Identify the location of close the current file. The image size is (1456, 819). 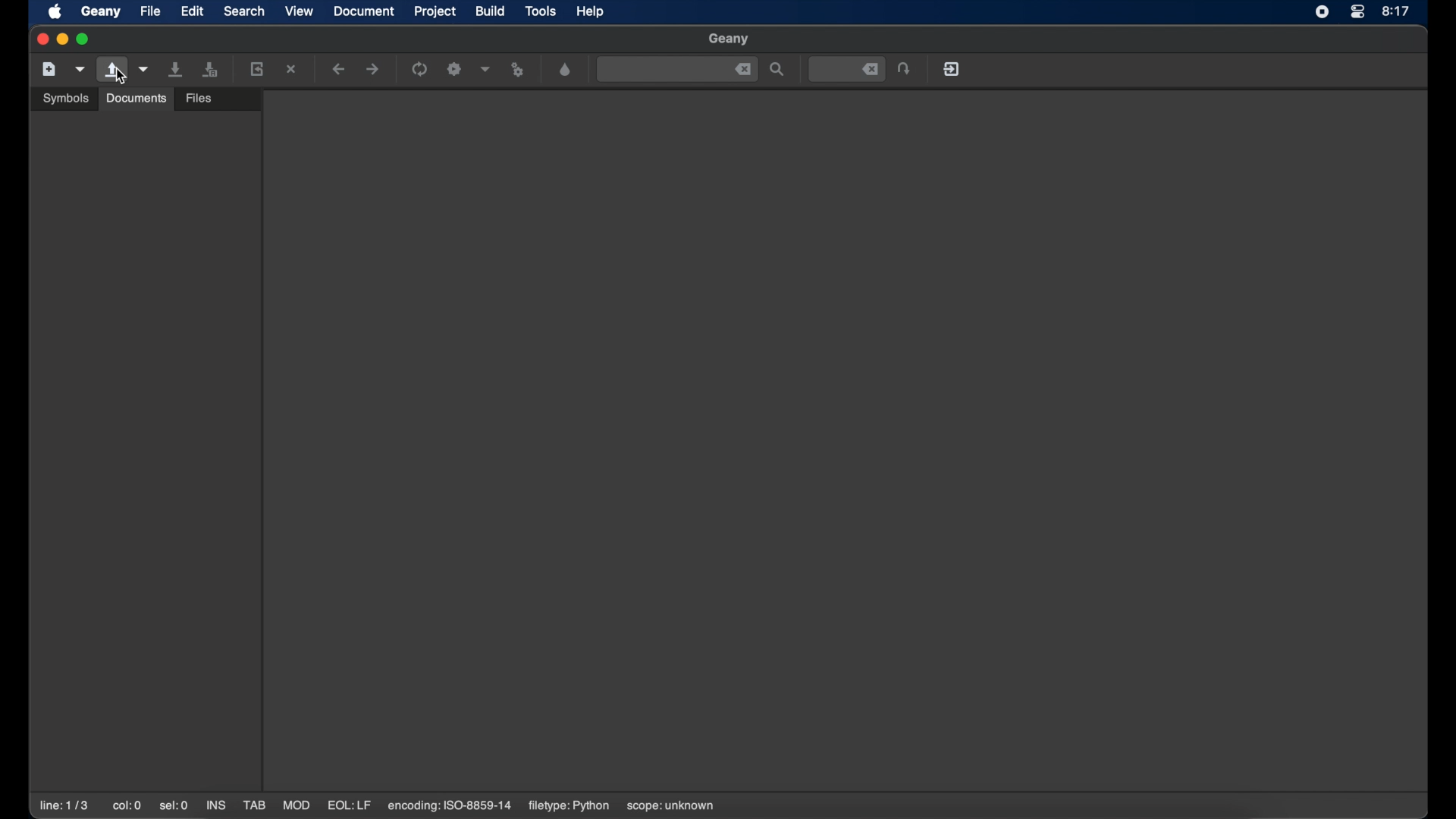
(291, 68).